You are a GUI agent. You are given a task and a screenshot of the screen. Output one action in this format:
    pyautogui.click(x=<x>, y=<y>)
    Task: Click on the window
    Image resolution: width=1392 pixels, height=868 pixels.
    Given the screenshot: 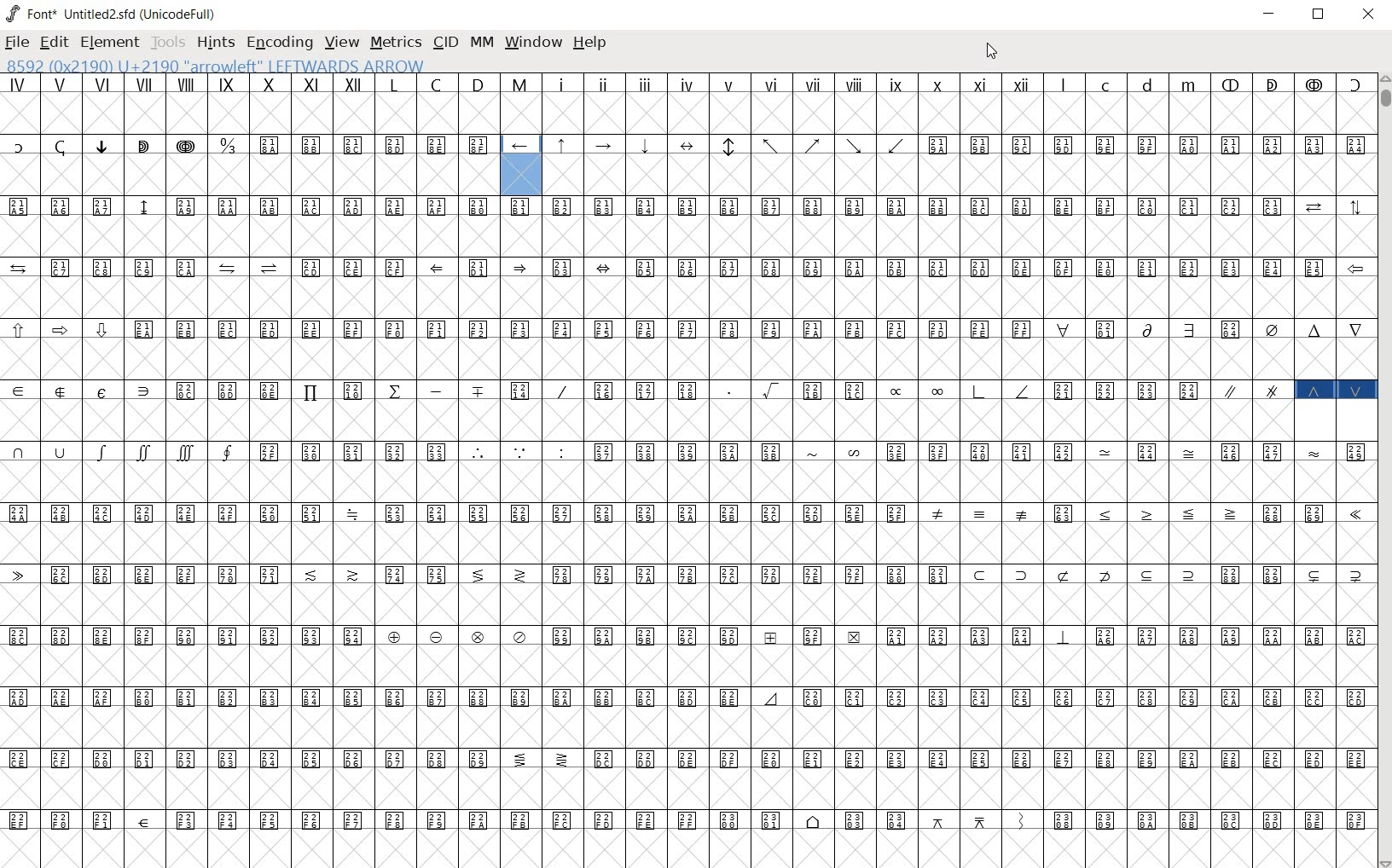 What is the action you would take?
    pyautogui.click(x=535, y=43)
    